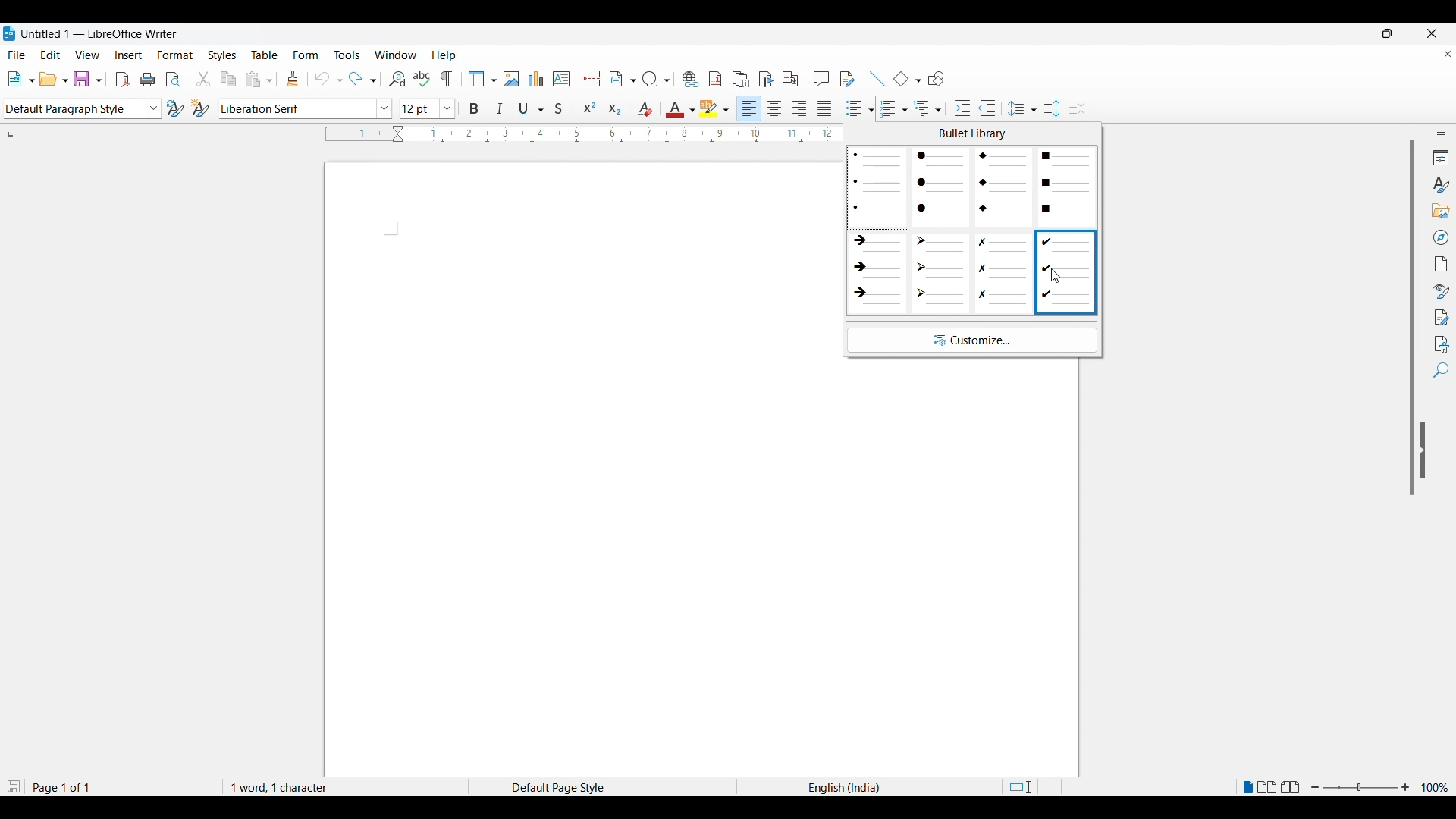 This screenshot has width=1456, height=819. I want to click on Format, so click(174, 53).